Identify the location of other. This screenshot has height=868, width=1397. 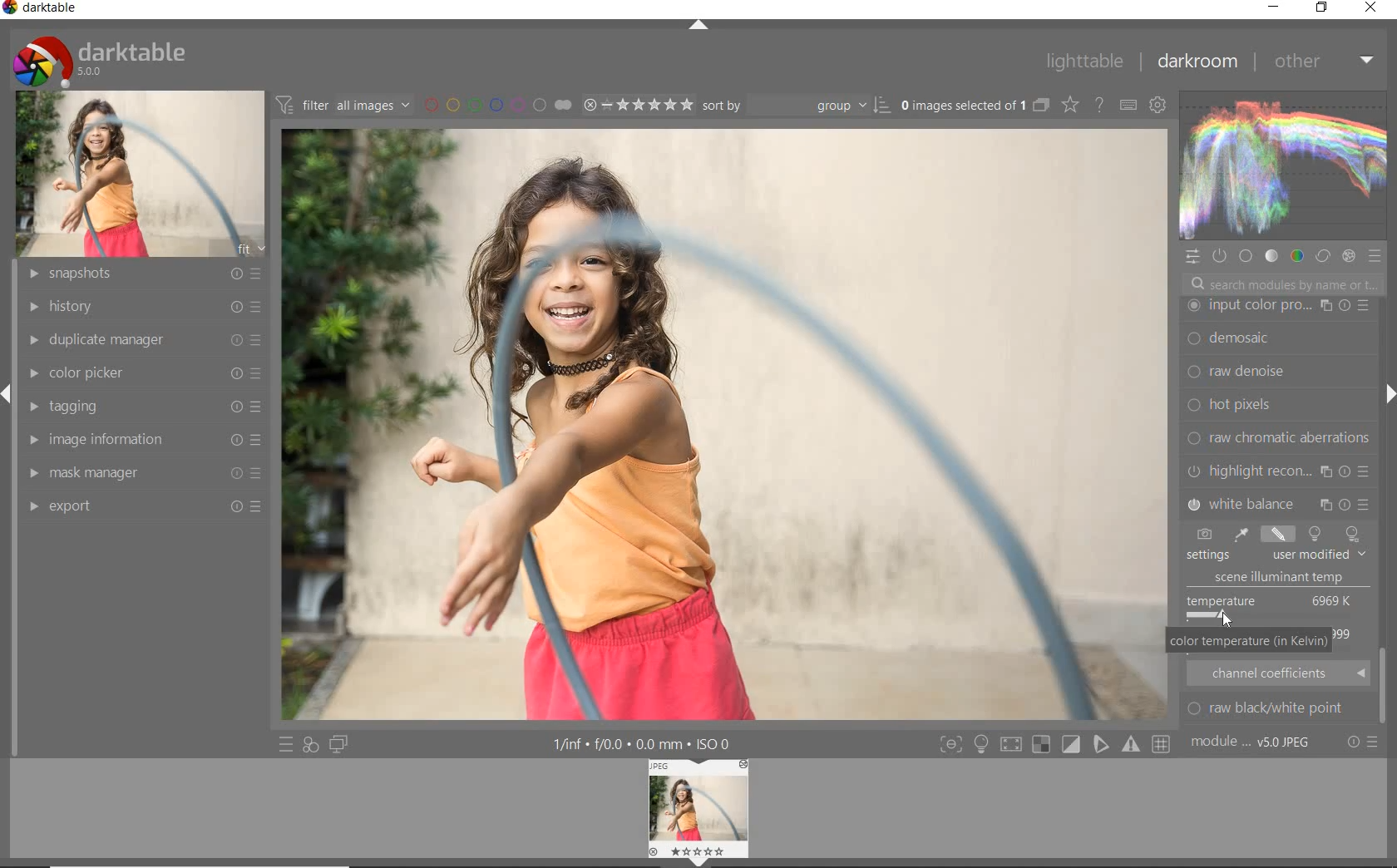
(1324, 61).